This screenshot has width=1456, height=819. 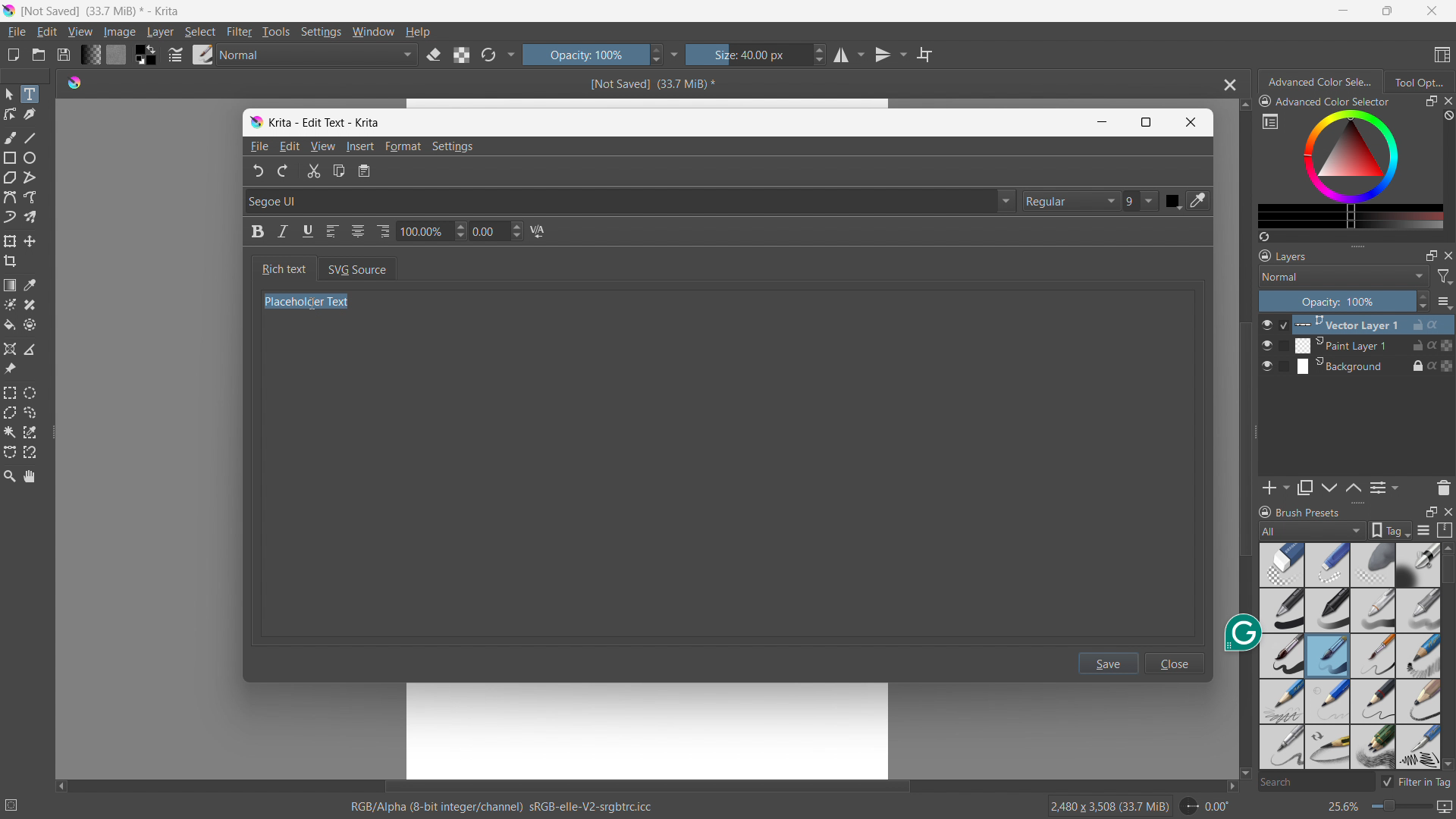 I want to click on tags, so click(x=1391, y=530).